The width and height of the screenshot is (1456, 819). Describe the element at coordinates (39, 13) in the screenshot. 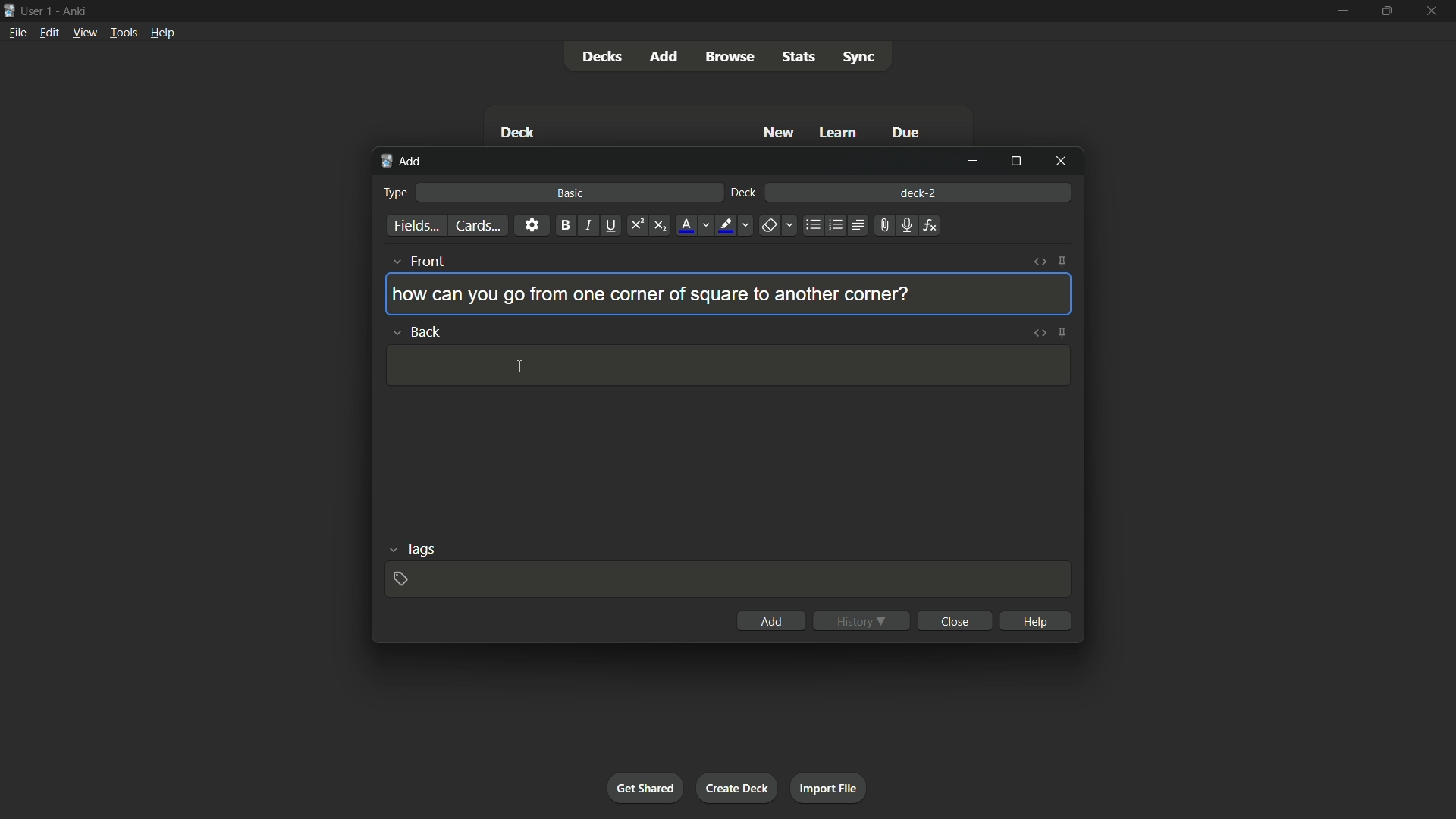

I see `user 1` at that location.